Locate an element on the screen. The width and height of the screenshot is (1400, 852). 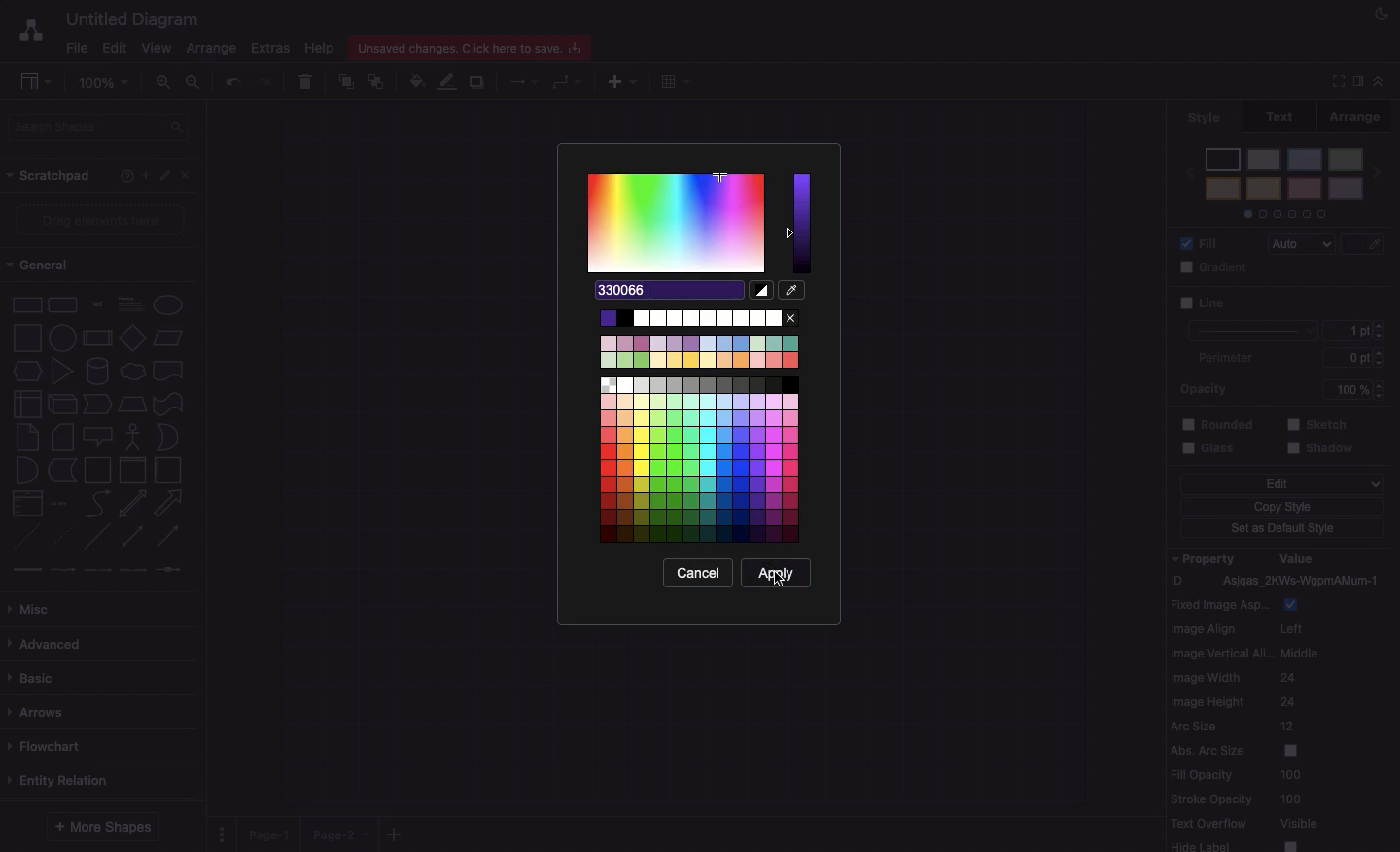
Arrows is located at coordinates (41, 710).